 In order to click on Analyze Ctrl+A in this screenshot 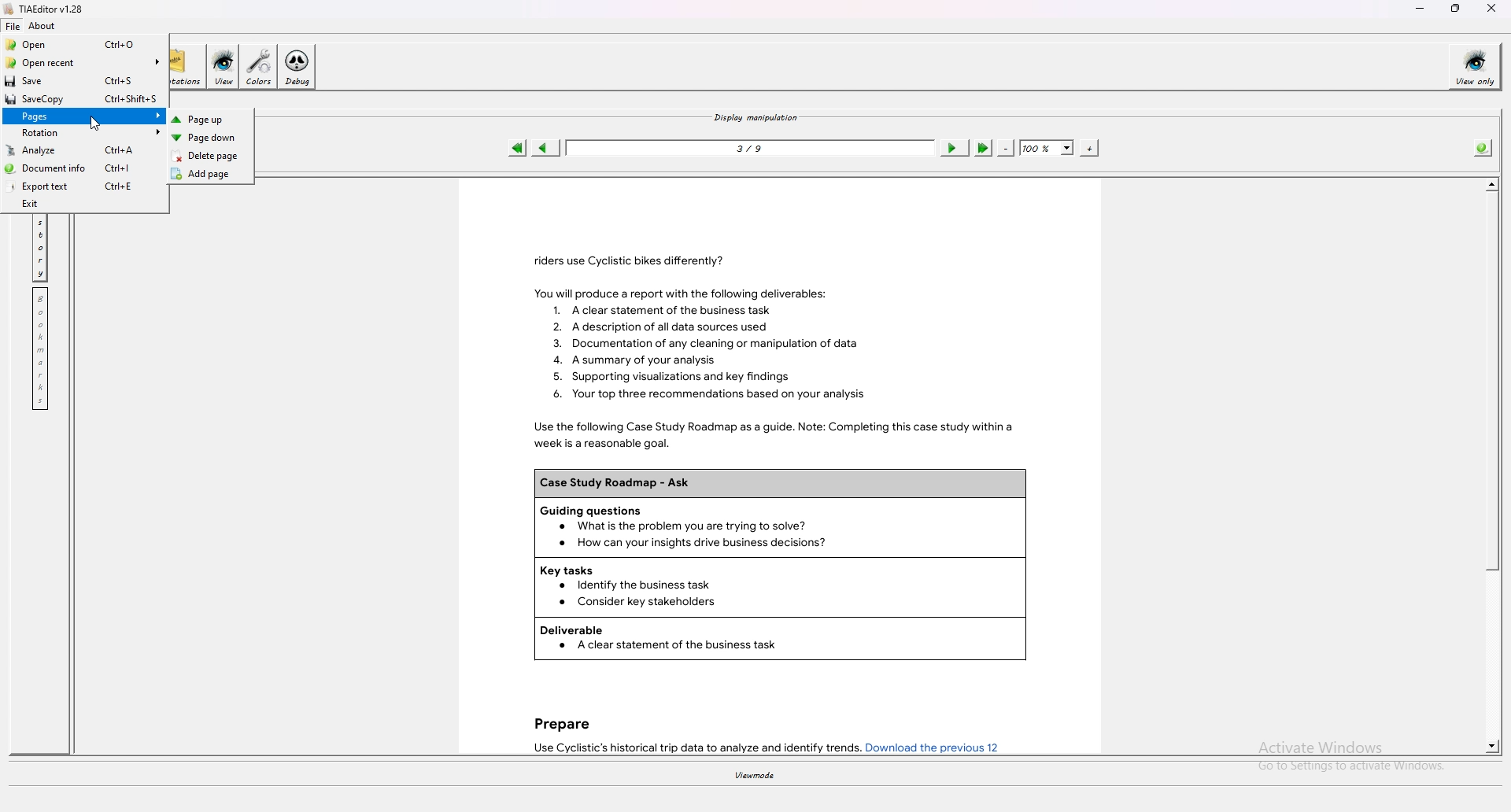, I will do `click(82, 150)`.